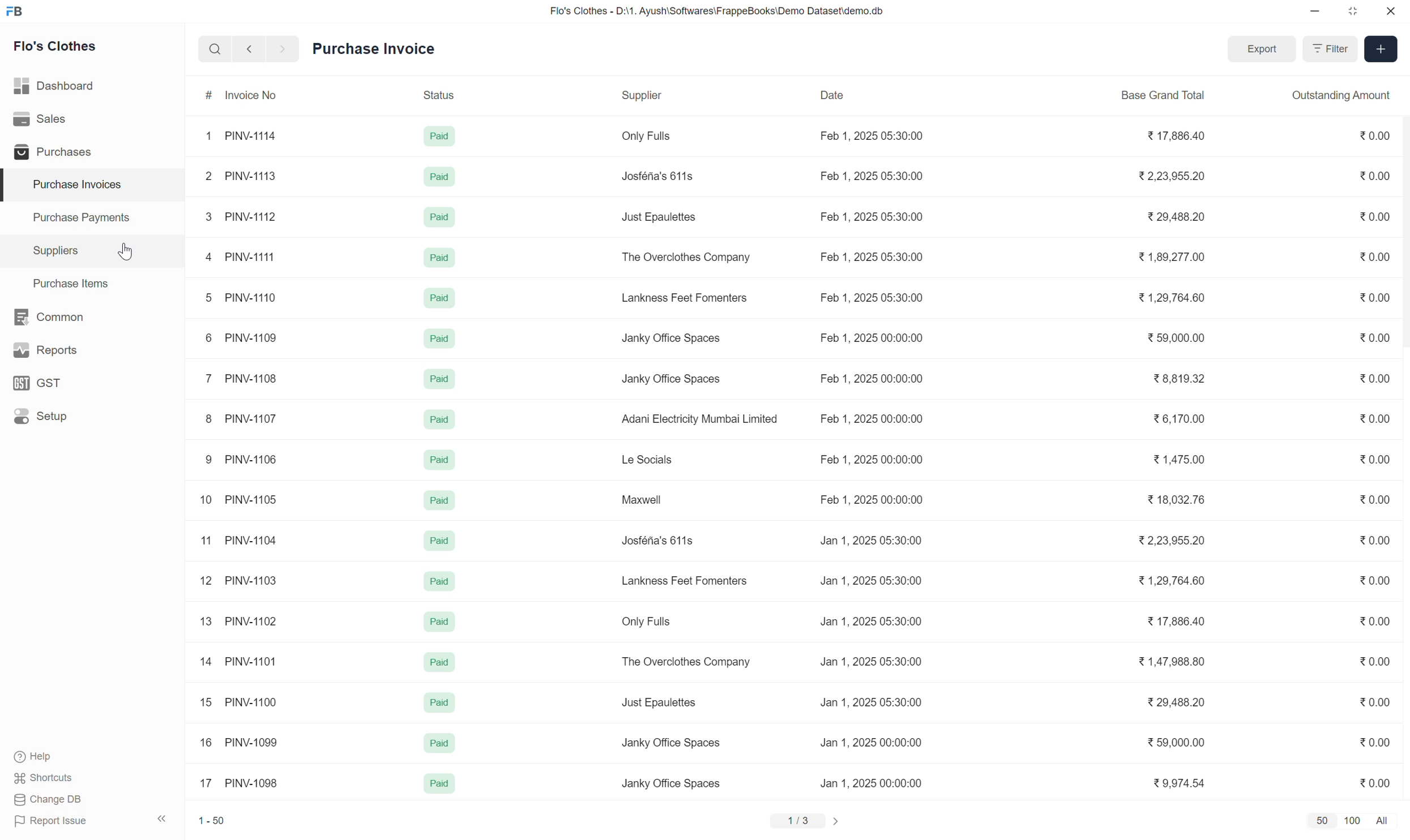 Image resolution: width=1410 pixels, height=840 pixels. Describe the element at coordinates (439, 136) in the screenshot. I see `Paid` at that location.